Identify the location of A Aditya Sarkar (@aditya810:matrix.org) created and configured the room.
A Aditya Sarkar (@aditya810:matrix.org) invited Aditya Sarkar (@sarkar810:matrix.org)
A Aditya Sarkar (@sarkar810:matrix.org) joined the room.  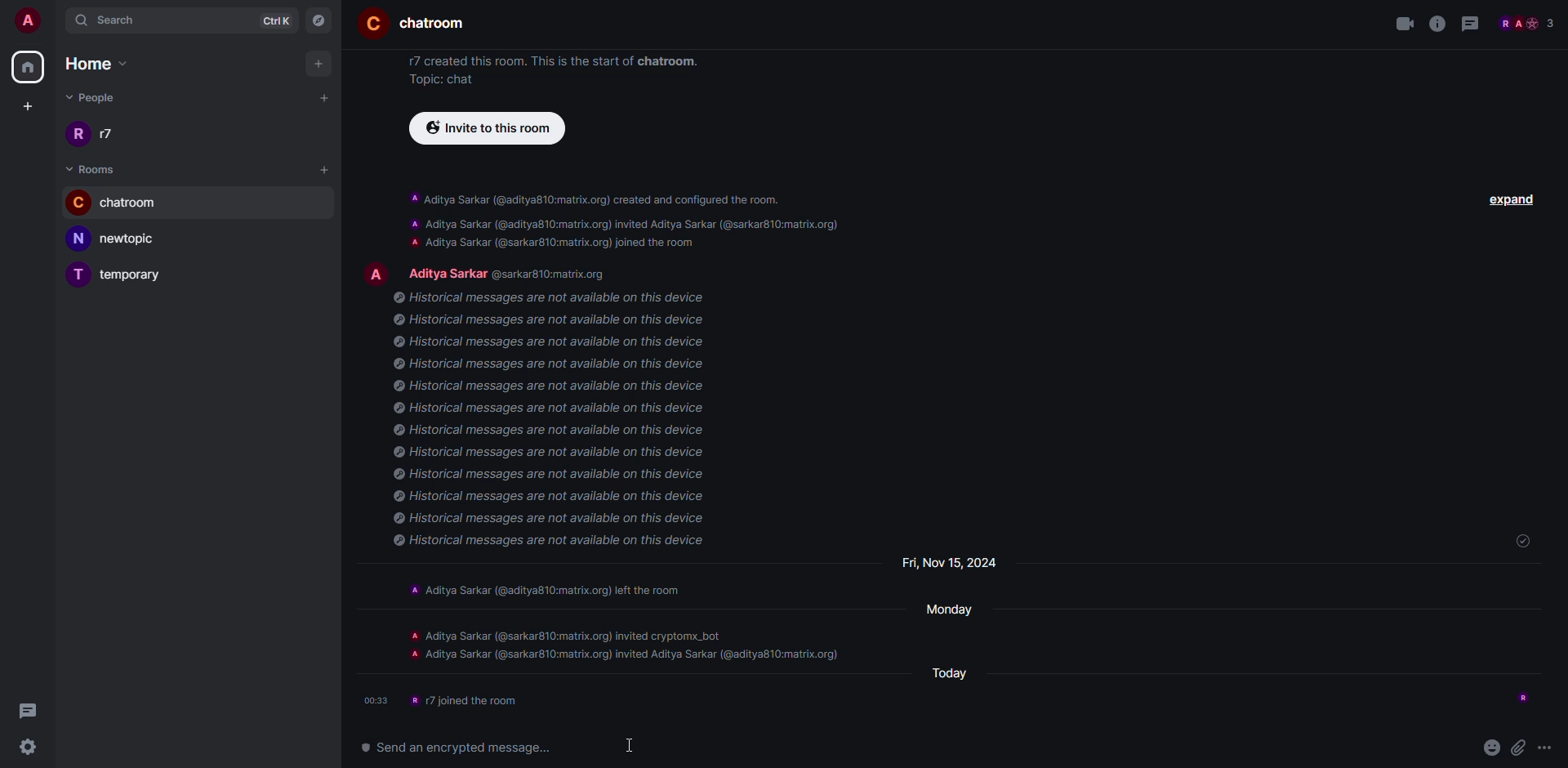
(622, 219).